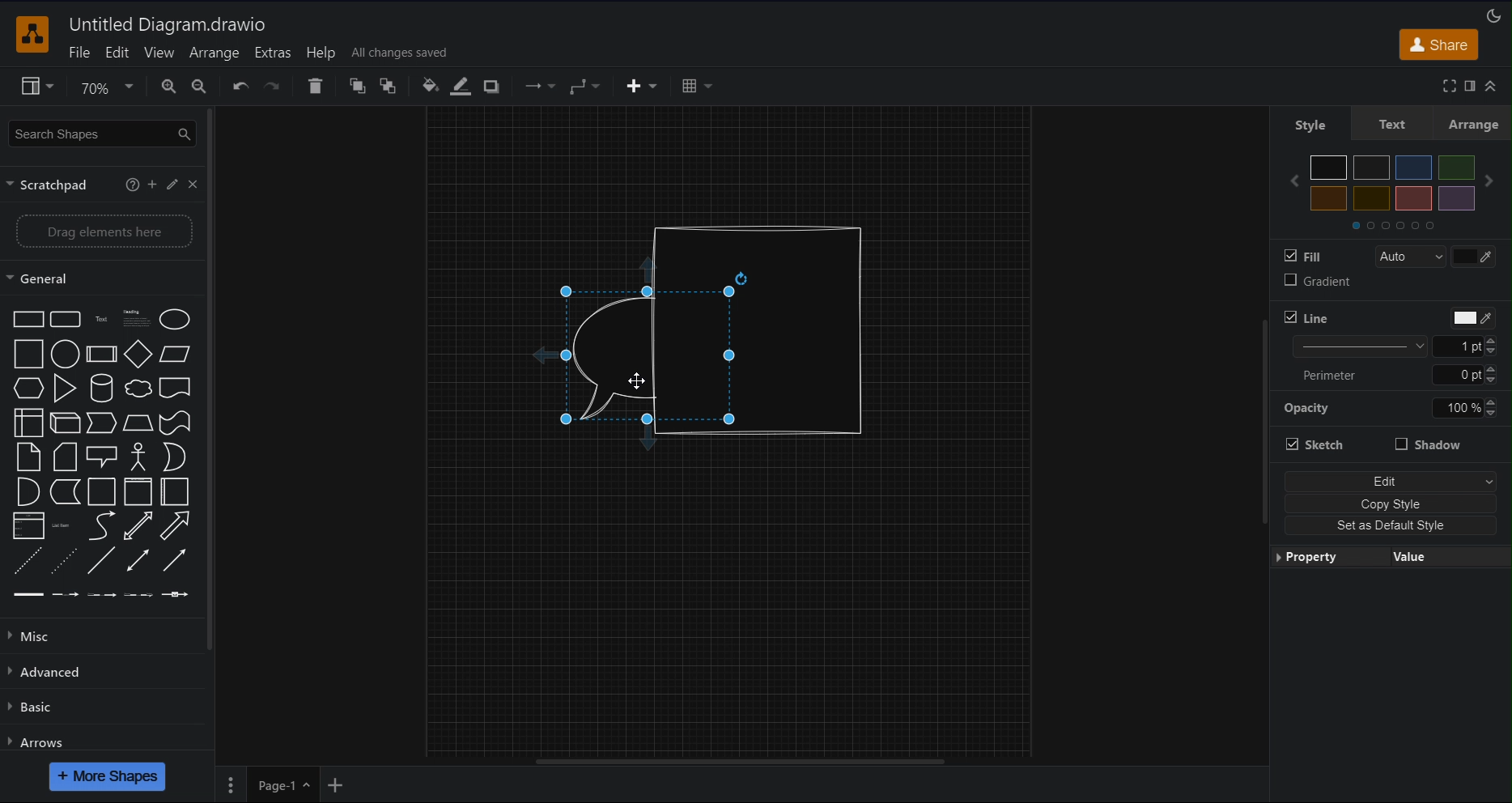 This screenshot has width=1512, height=803. I want to click on Gradient, so click(1318, 280).